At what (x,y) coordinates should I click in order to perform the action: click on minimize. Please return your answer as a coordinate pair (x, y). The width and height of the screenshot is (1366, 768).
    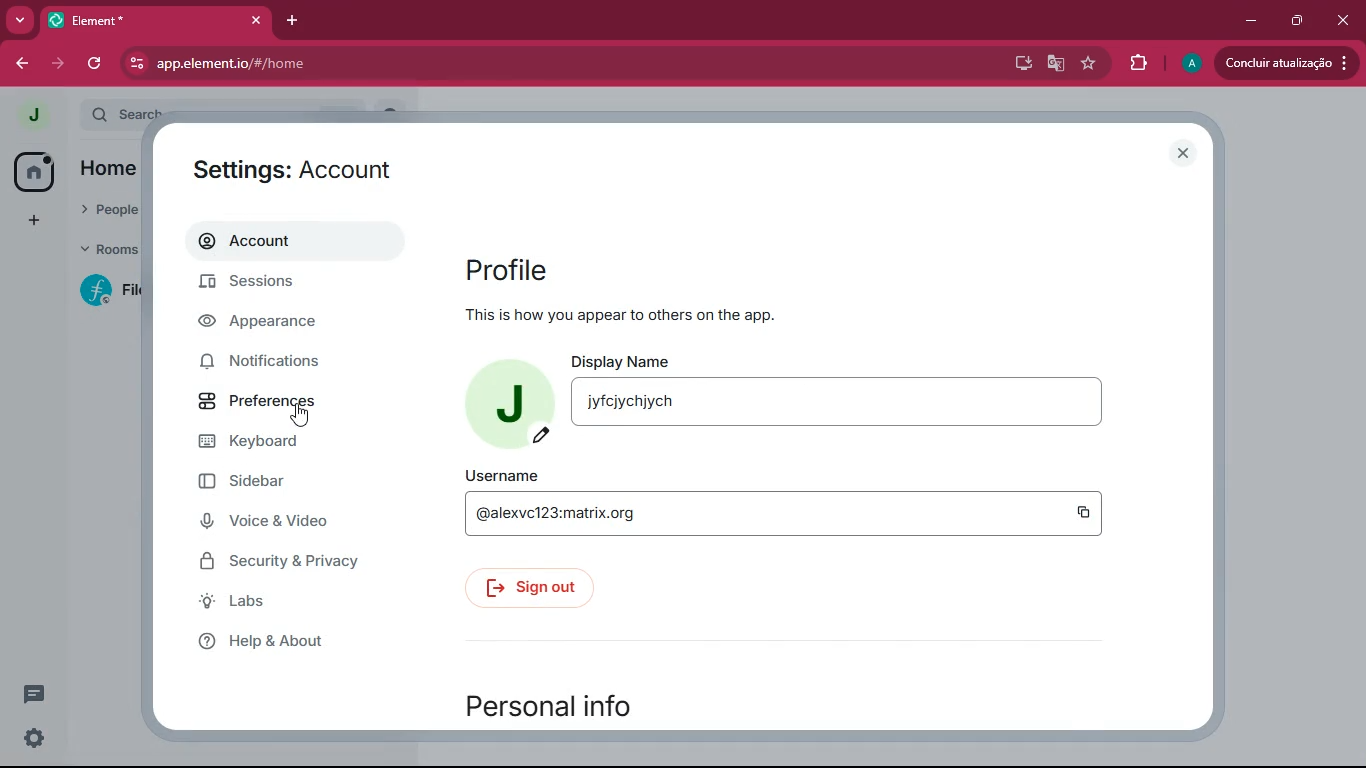
    Looking at the image, I should click on (1250, 21).